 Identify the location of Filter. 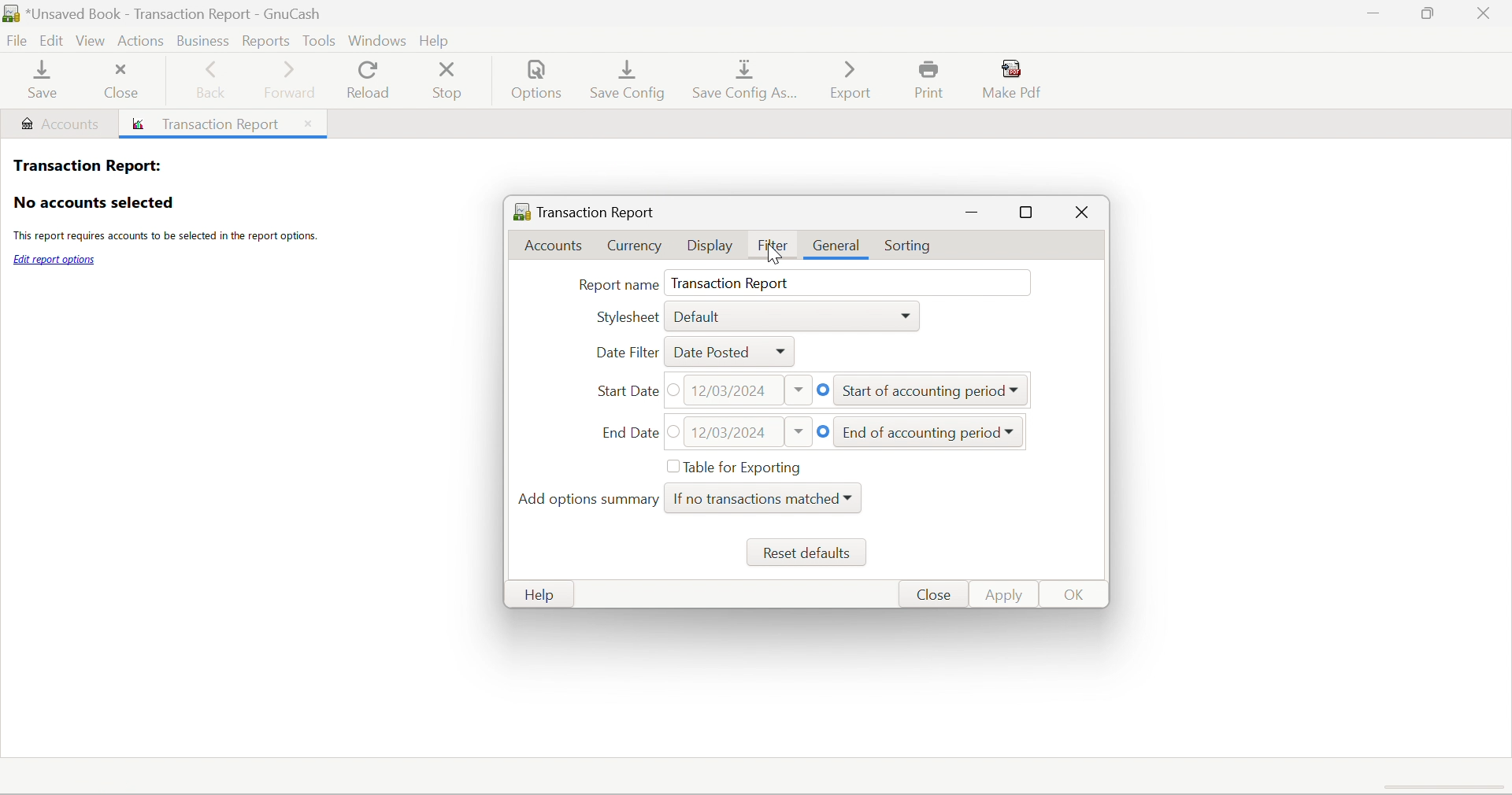
(776, 246).